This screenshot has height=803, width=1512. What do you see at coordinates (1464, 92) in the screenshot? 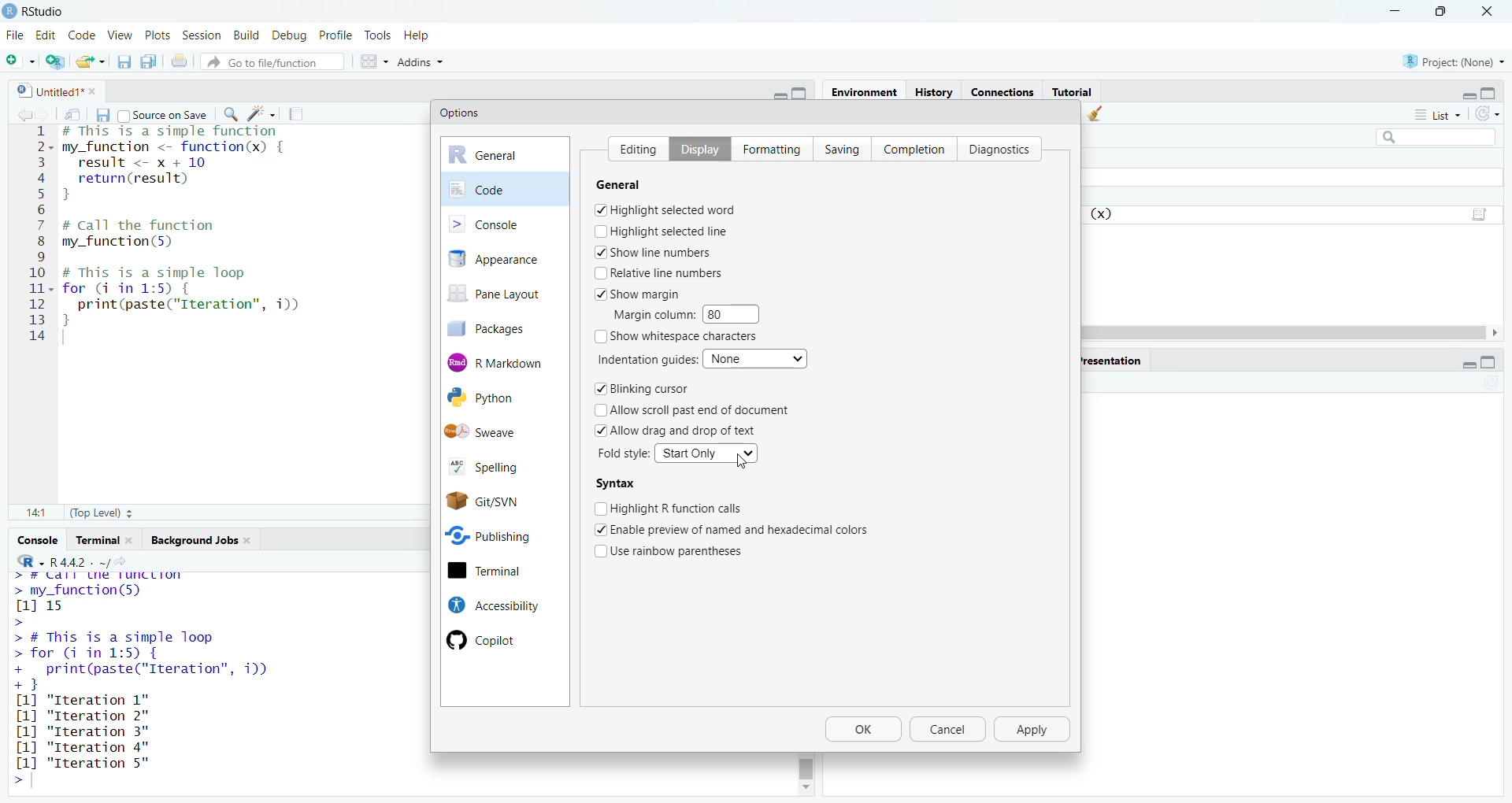
I see `minimize` at bounding box center [1464, 92].